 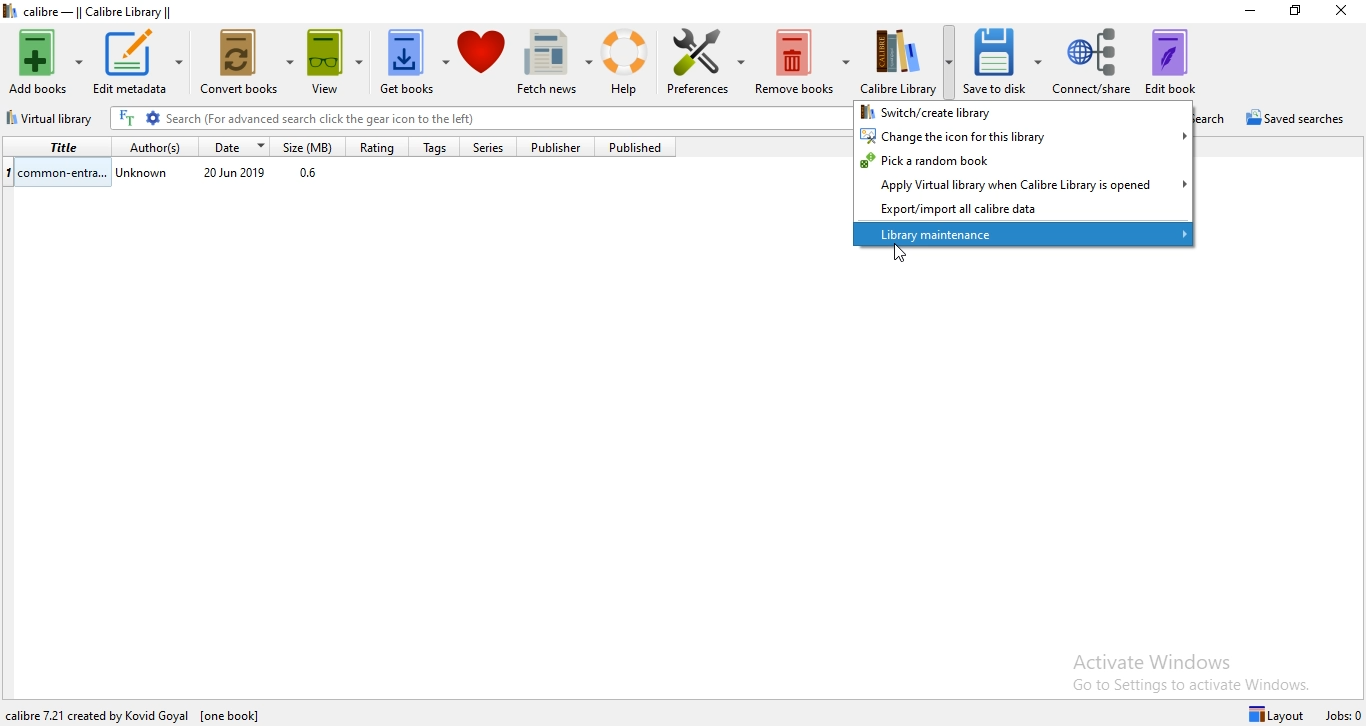 What do you see at coordinates (313, 175) in the screenshot?
I see `0.6` at bounding box center [313, 175].